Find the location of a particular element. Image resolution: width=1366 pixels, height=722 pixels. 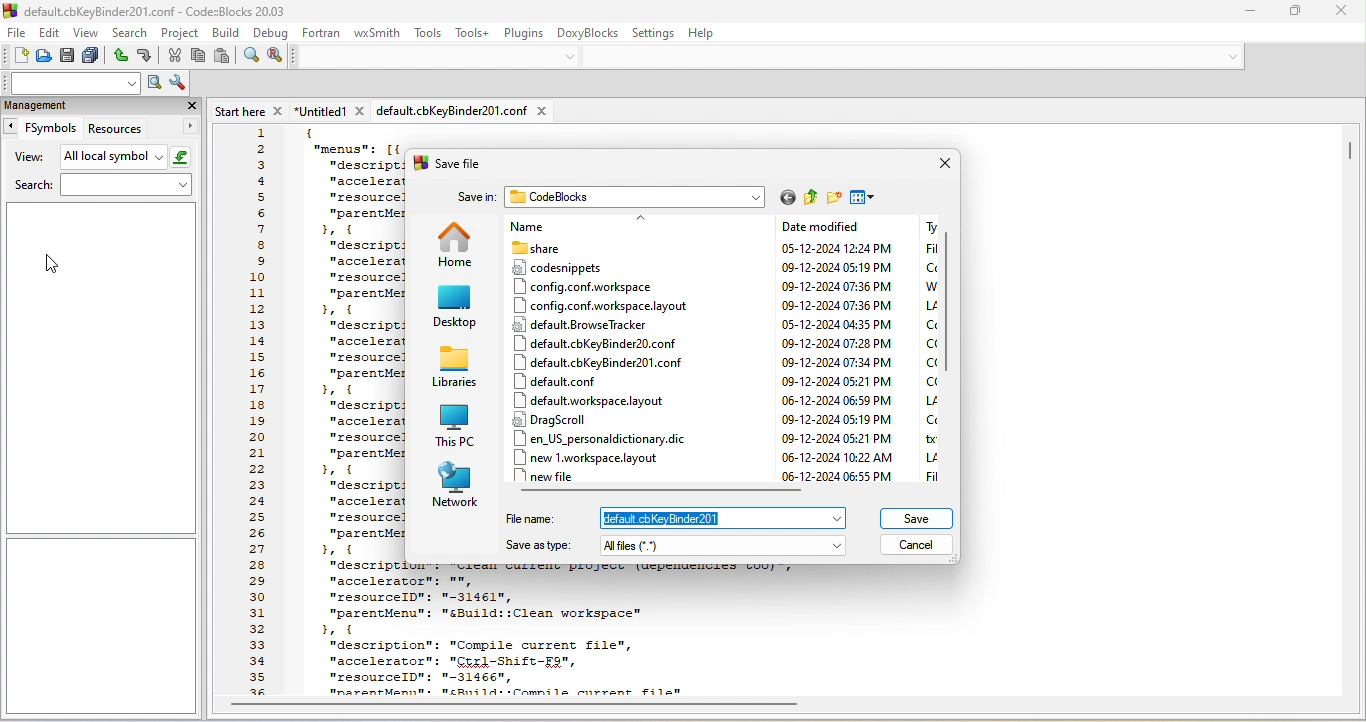

help is located at coordinates (705, 32).